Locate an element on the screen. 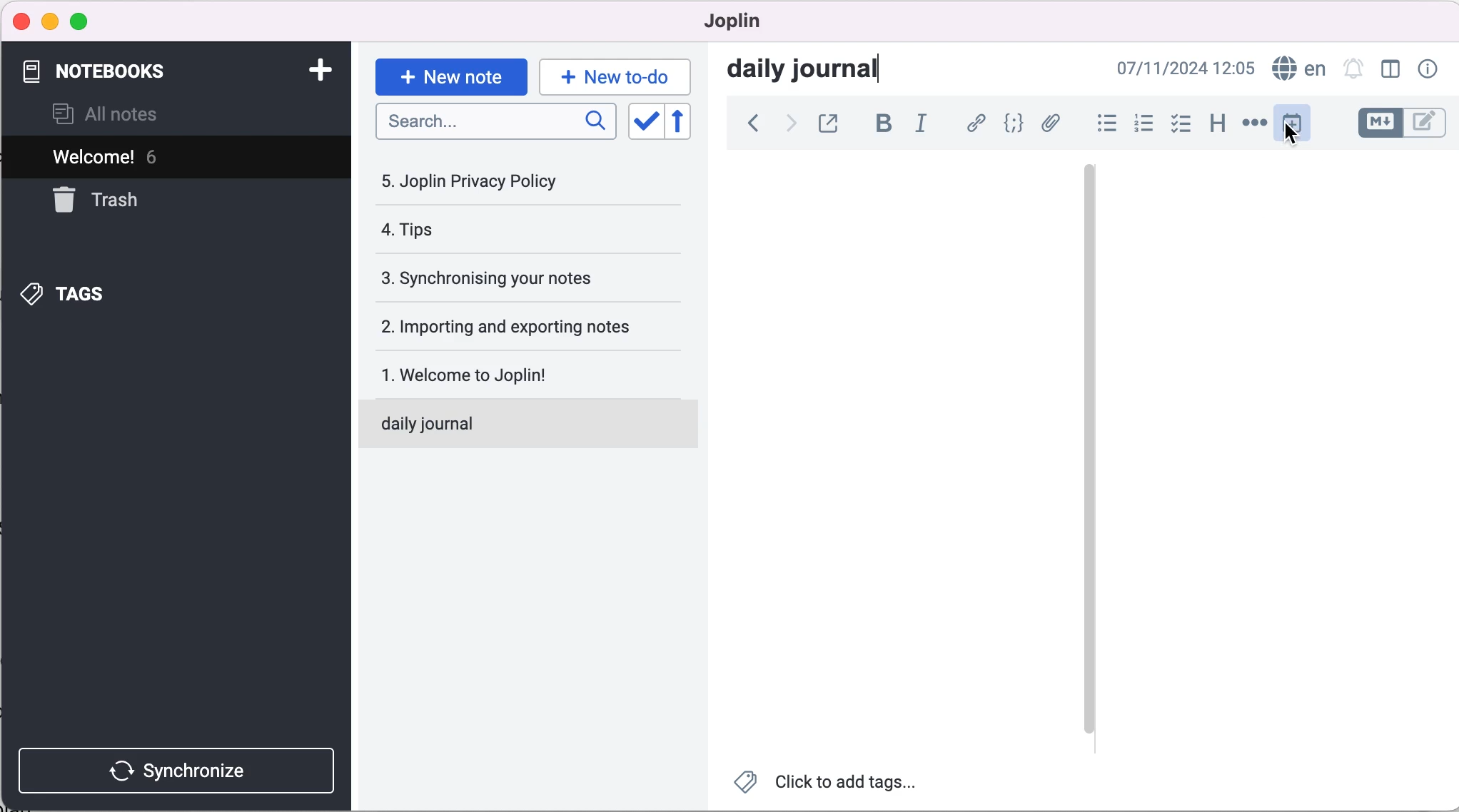 This screenshot has width=1459, height=812. add notebook is located at coordinates (320, 71).